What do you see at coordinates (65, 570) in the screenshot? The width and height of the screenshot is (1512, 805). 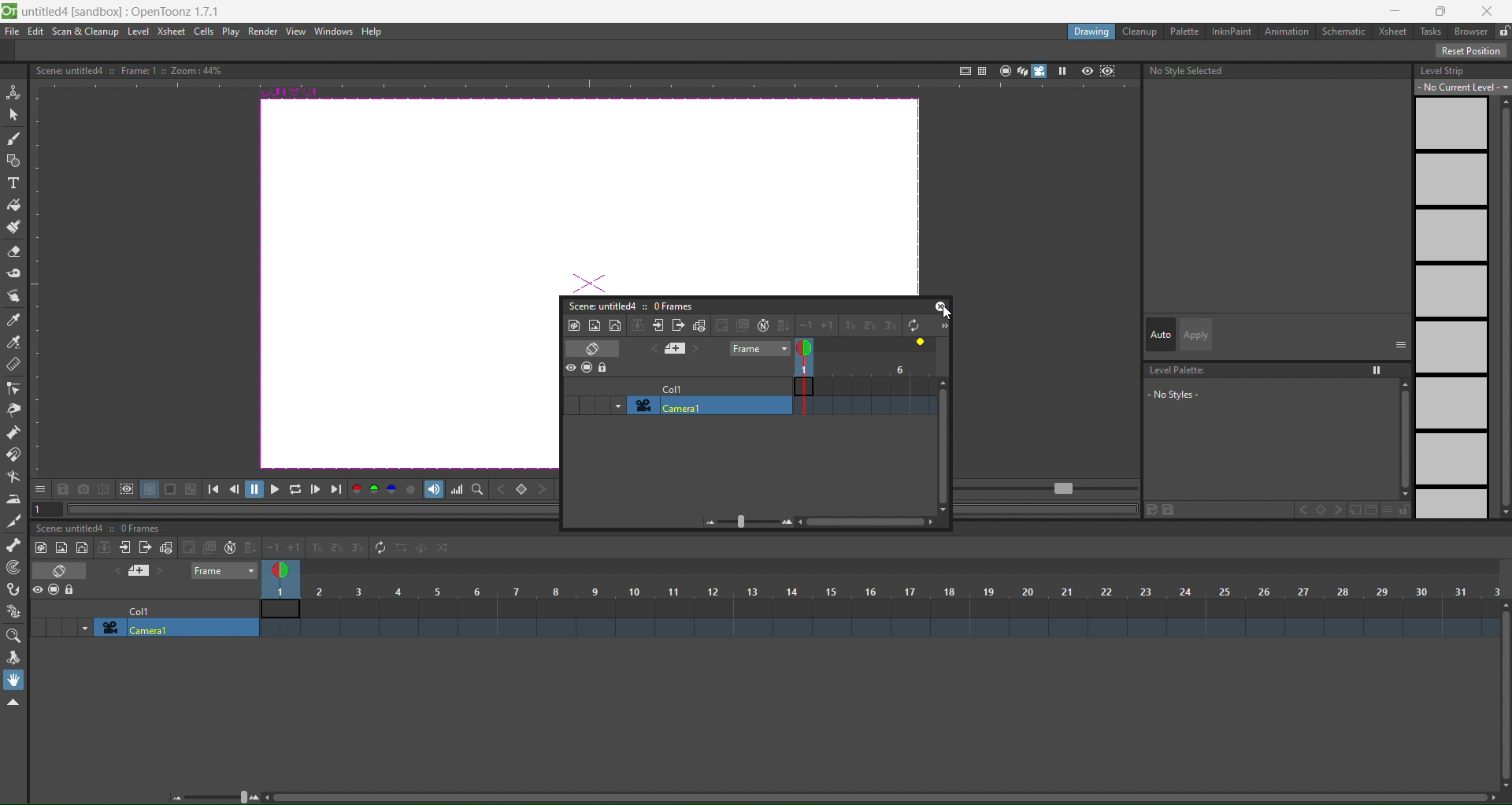 I see `toggle xsheet` at bounding box center [65, 570].